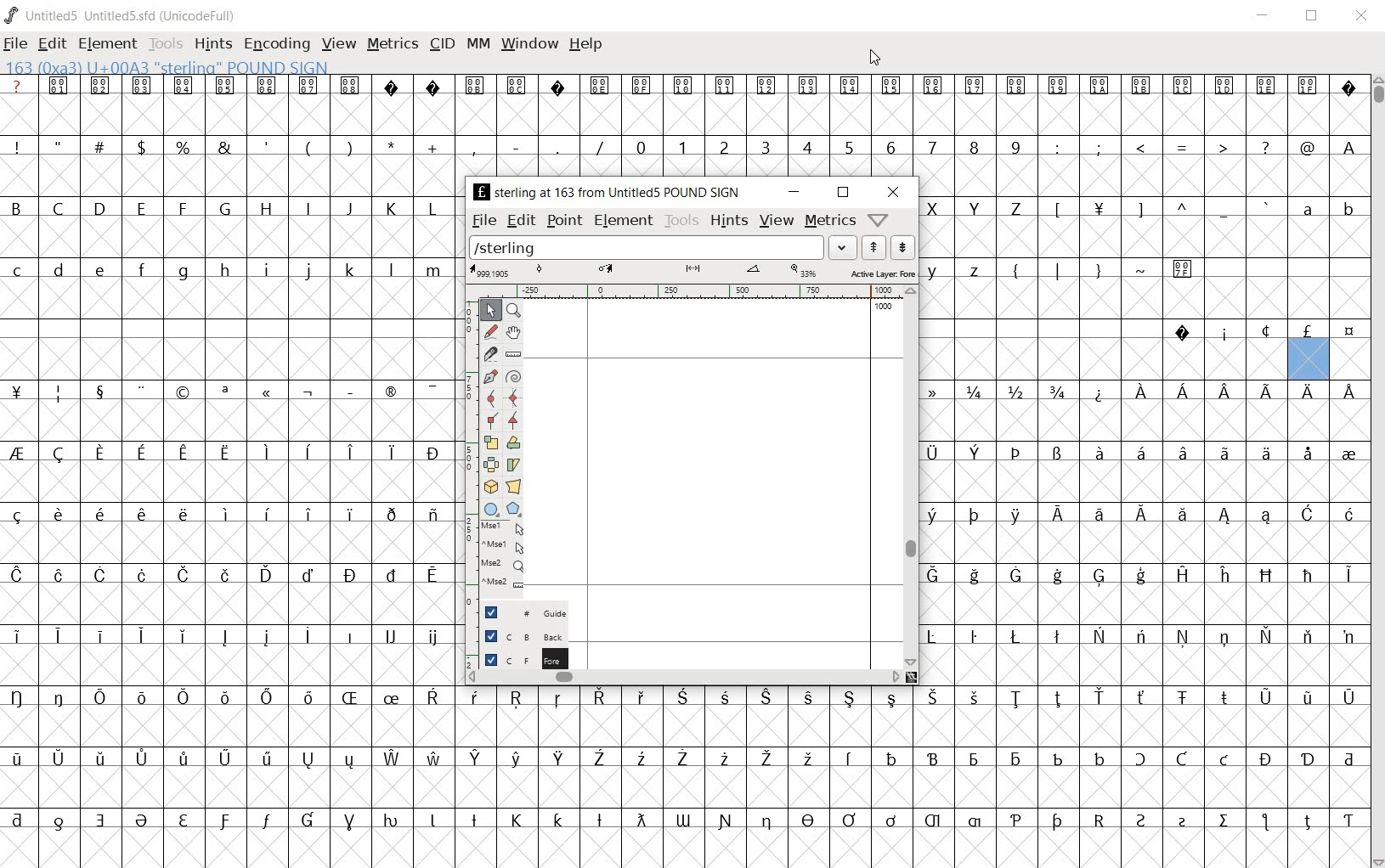 The image size is (1385, 868). Describe the element at coordinates (938, 637) in the screenshot. I see `Symbol` at that location.